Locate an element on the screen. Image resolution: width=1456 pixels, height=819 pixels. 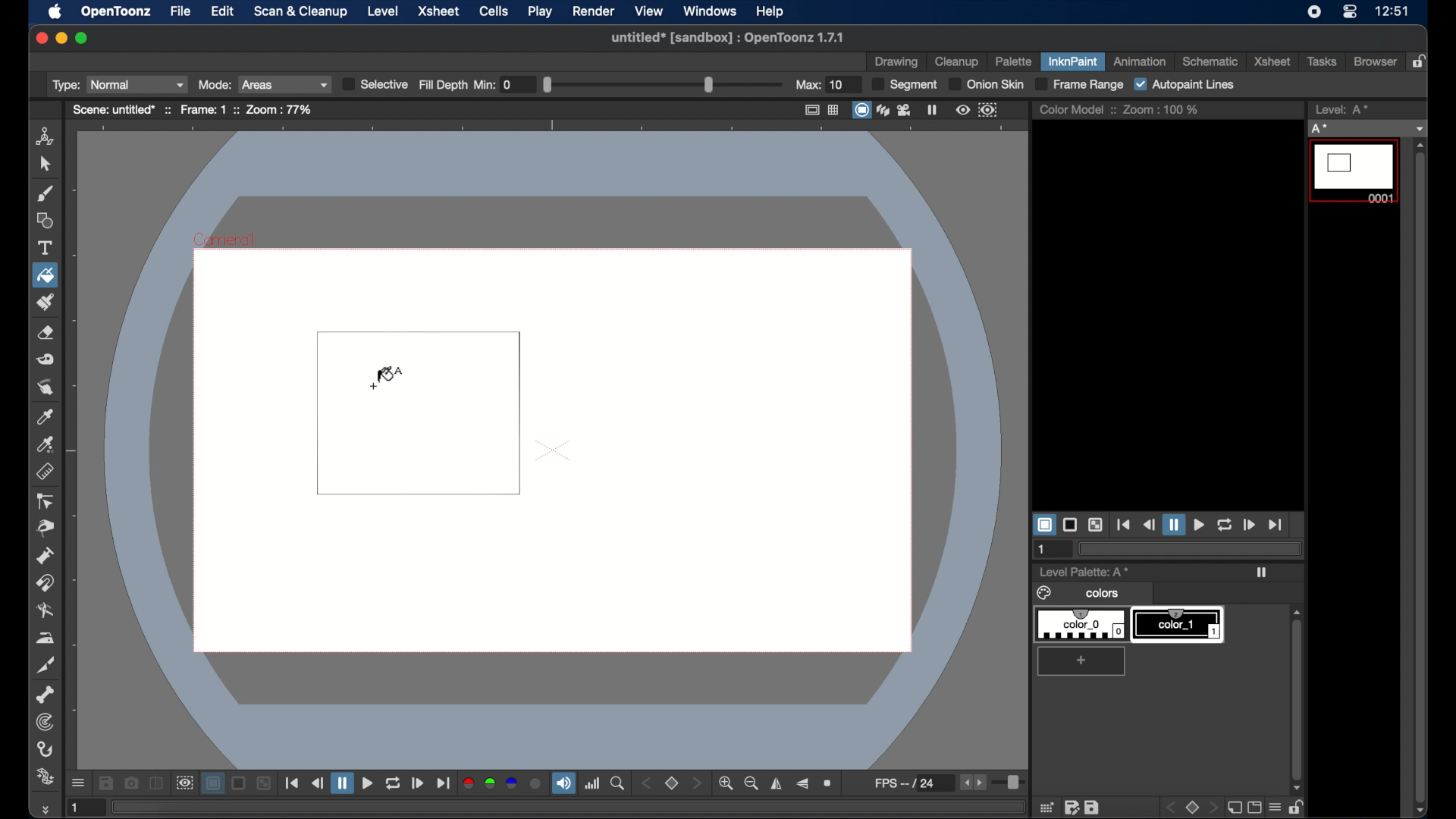
add color is located at coordinates (1083, 661).